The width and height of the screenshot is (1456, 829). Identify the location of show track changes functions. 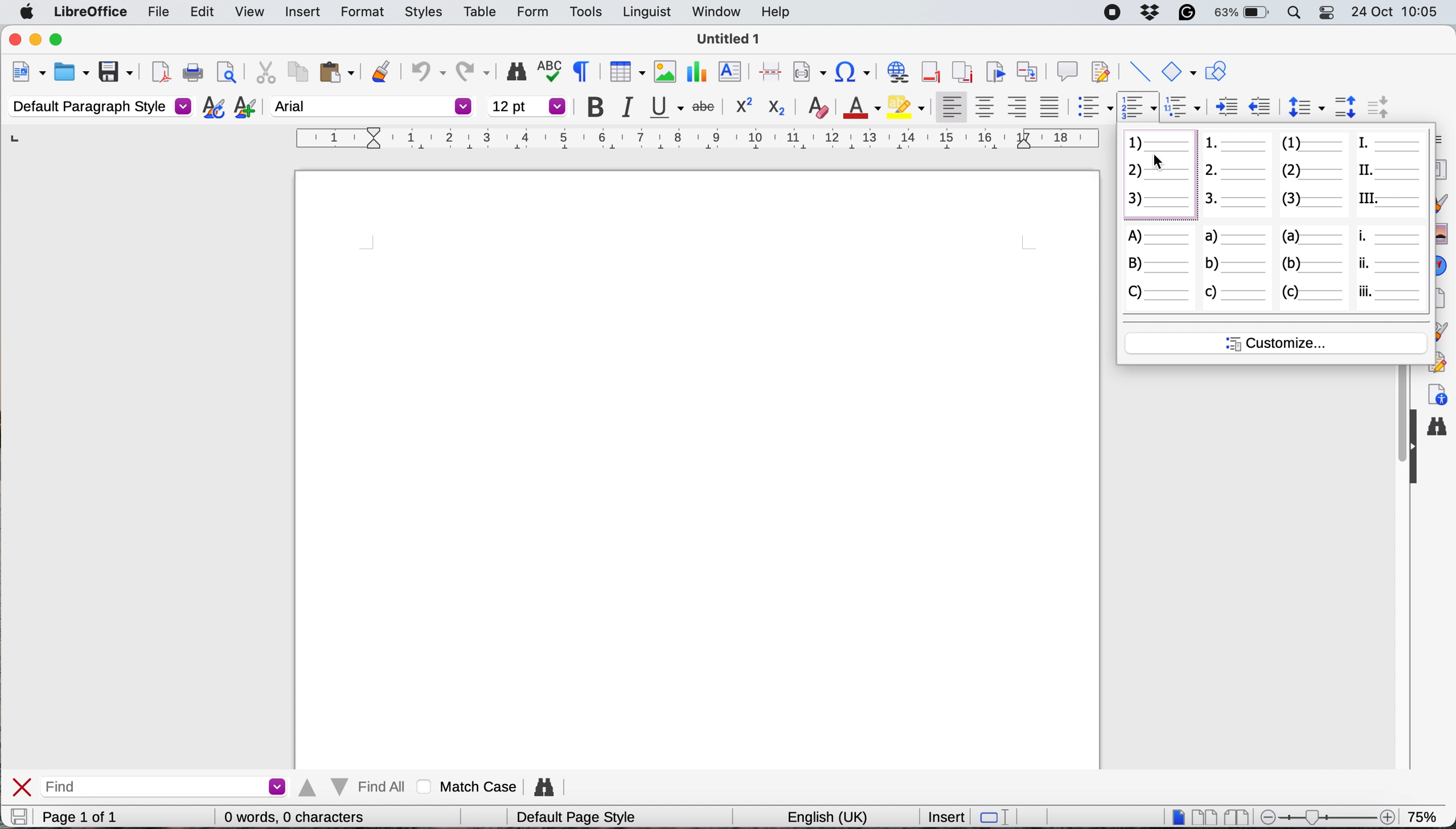
(1102, 70).